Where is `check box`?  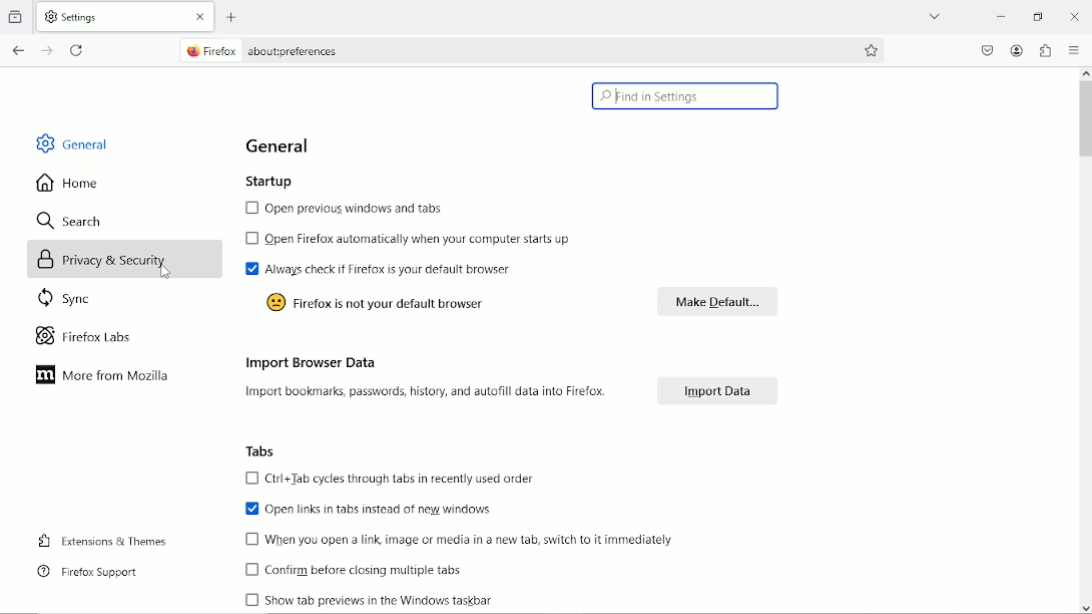
check box is located at coordinates (252, 569).